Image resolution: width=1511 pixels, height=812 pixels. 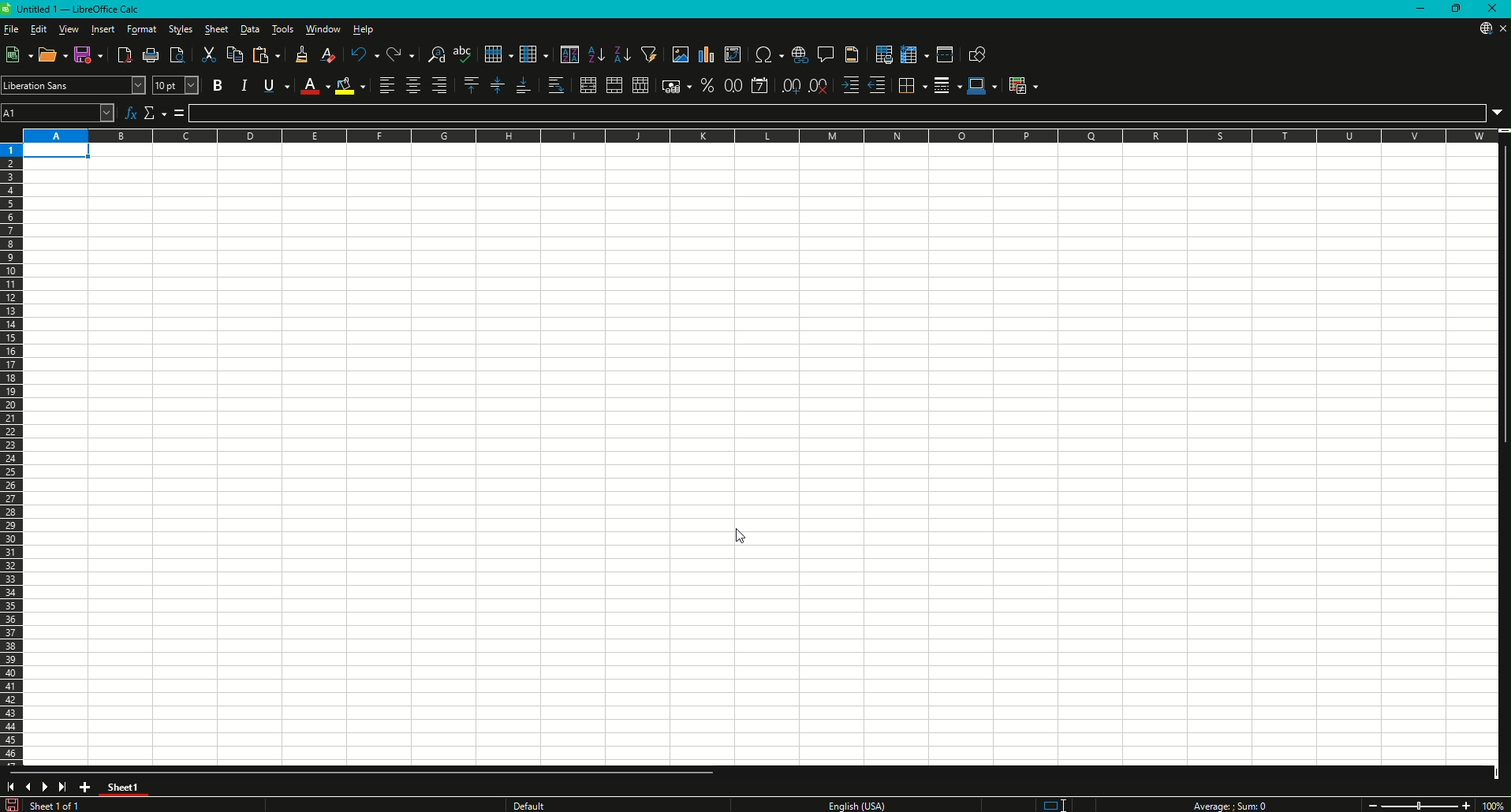 What do you see at coordinates (277, 85) in the screenshot?
I see `Underline` at bounding box center [277, 85].